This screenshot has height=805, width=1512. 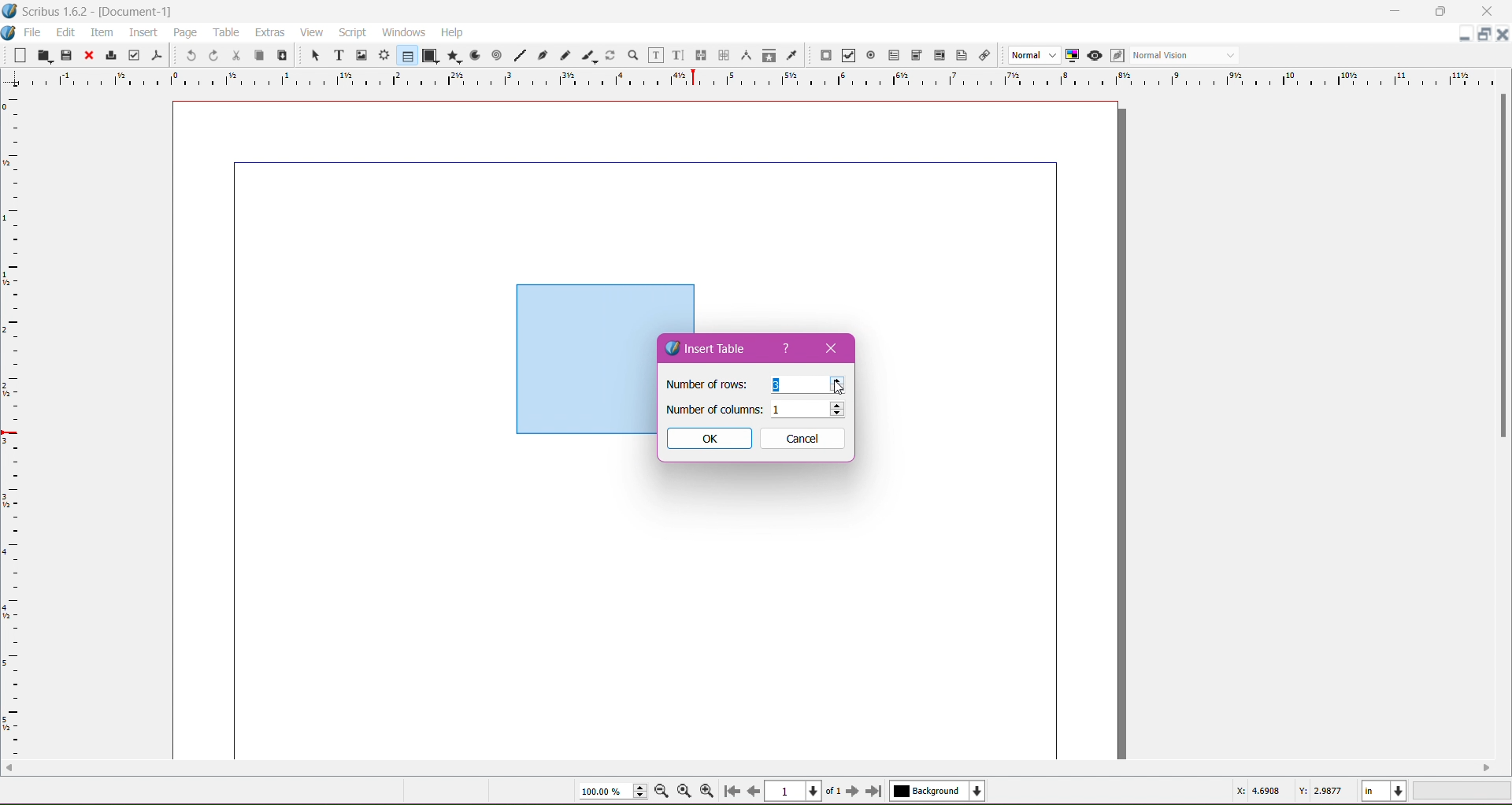 What do you see at coordinates (1186, 54) in the screenshot?
I see `Normal   Vision` at bounding box center [1186, 54].